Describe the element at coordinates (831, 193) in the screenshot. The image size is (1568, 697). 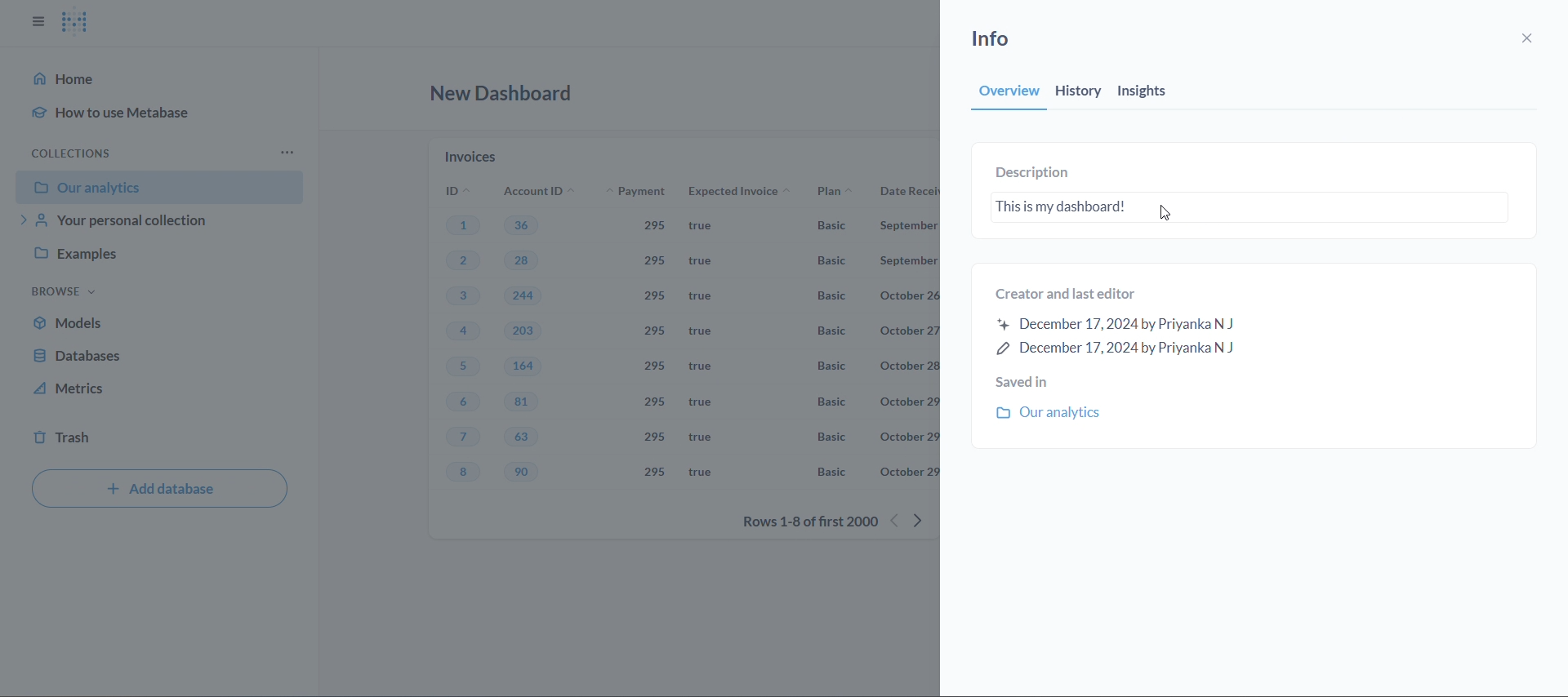
I see `plan` at that location.